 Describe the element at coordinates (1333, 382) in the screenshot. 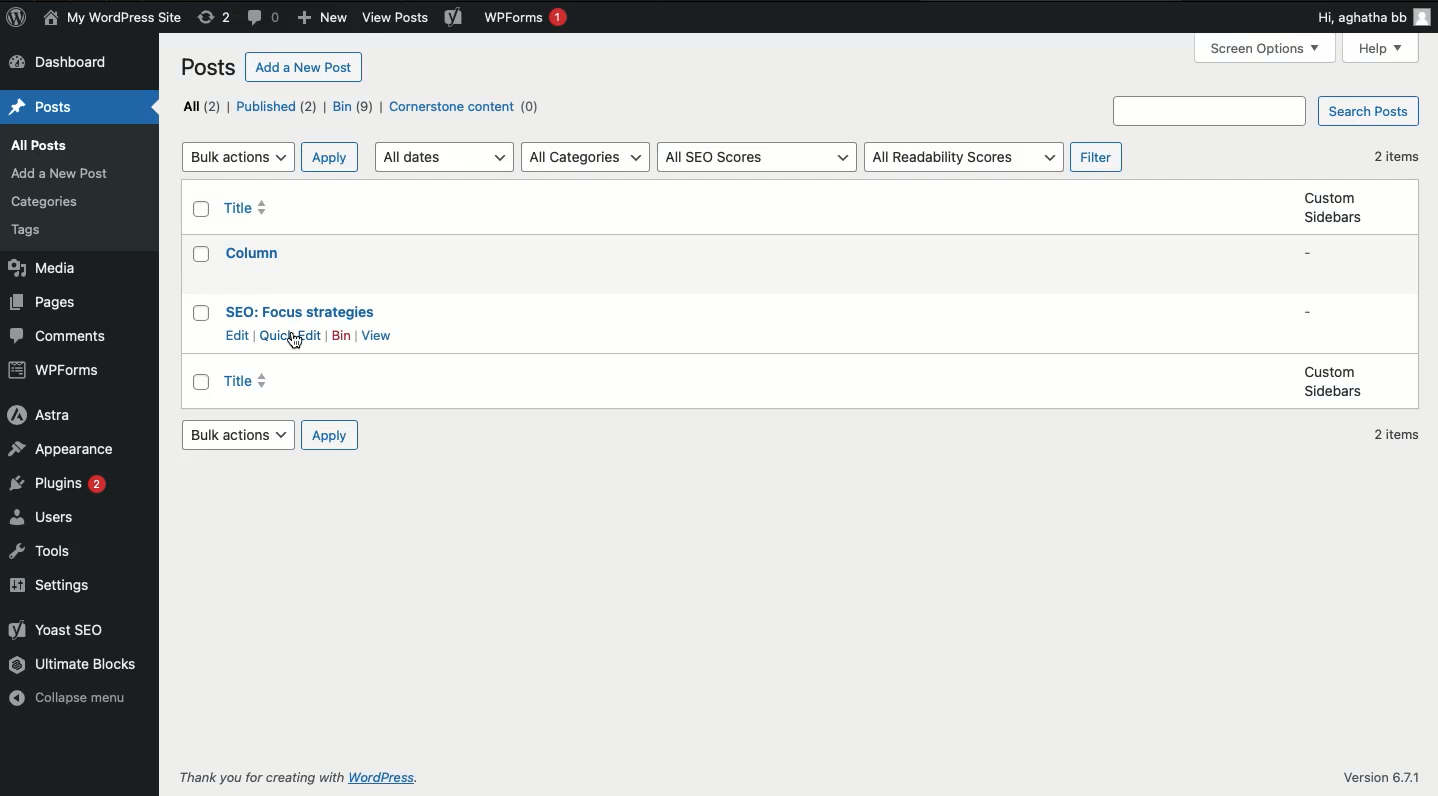

I see `Custom sidebars` at that location.